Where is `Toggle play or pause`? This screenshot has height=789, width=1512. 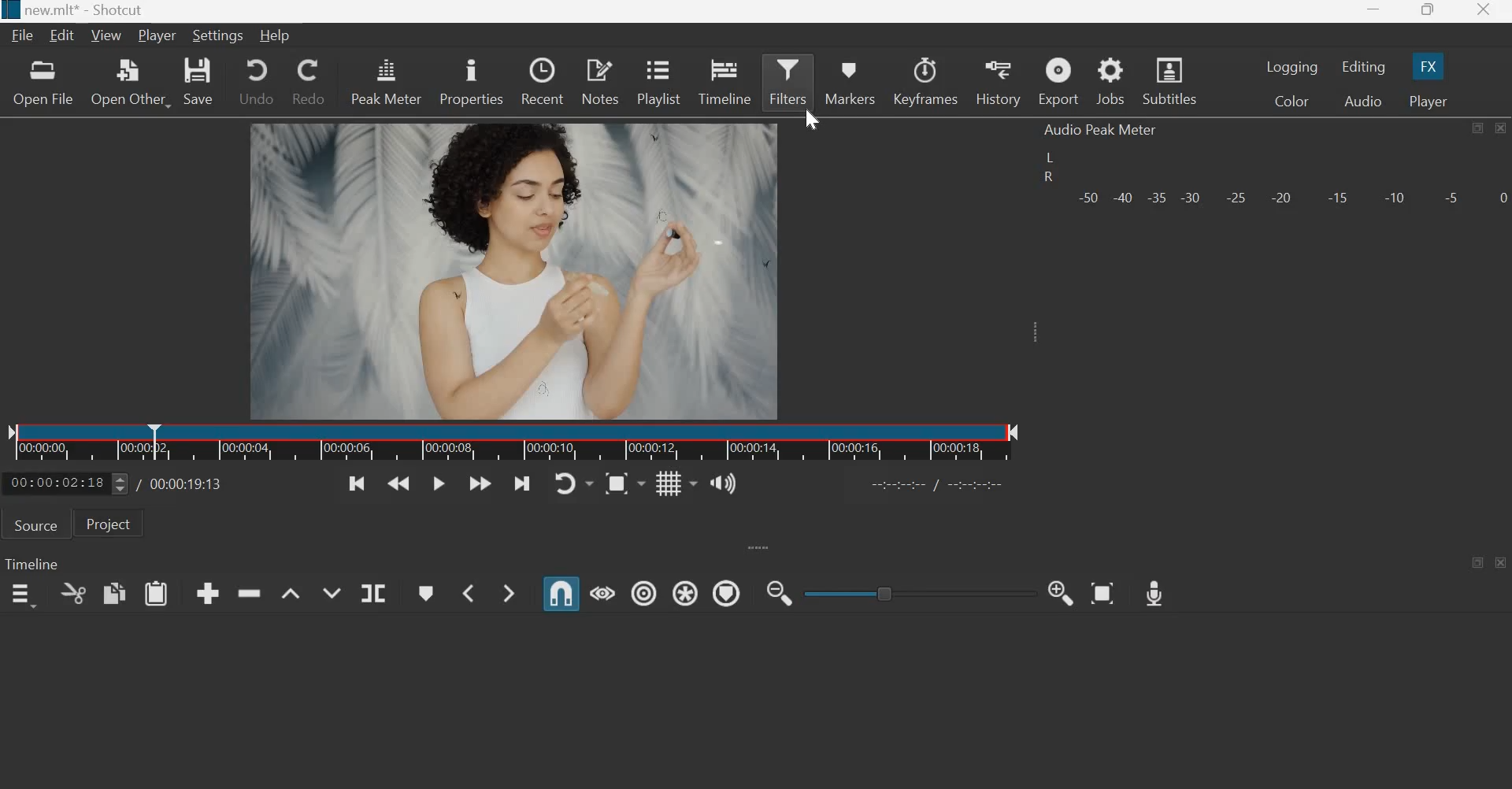 Toggle play or pause is located at coordinates (441, 483).